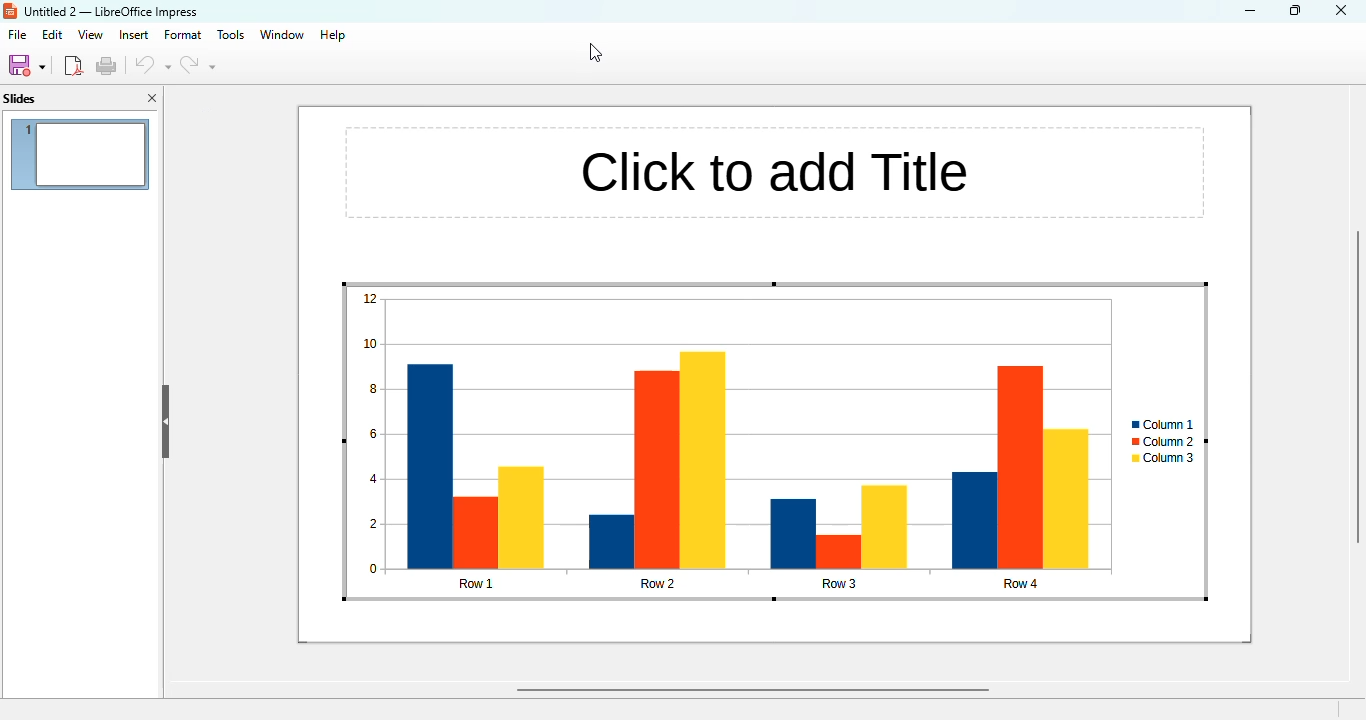  I want to click on close pane, so click(155, 98).